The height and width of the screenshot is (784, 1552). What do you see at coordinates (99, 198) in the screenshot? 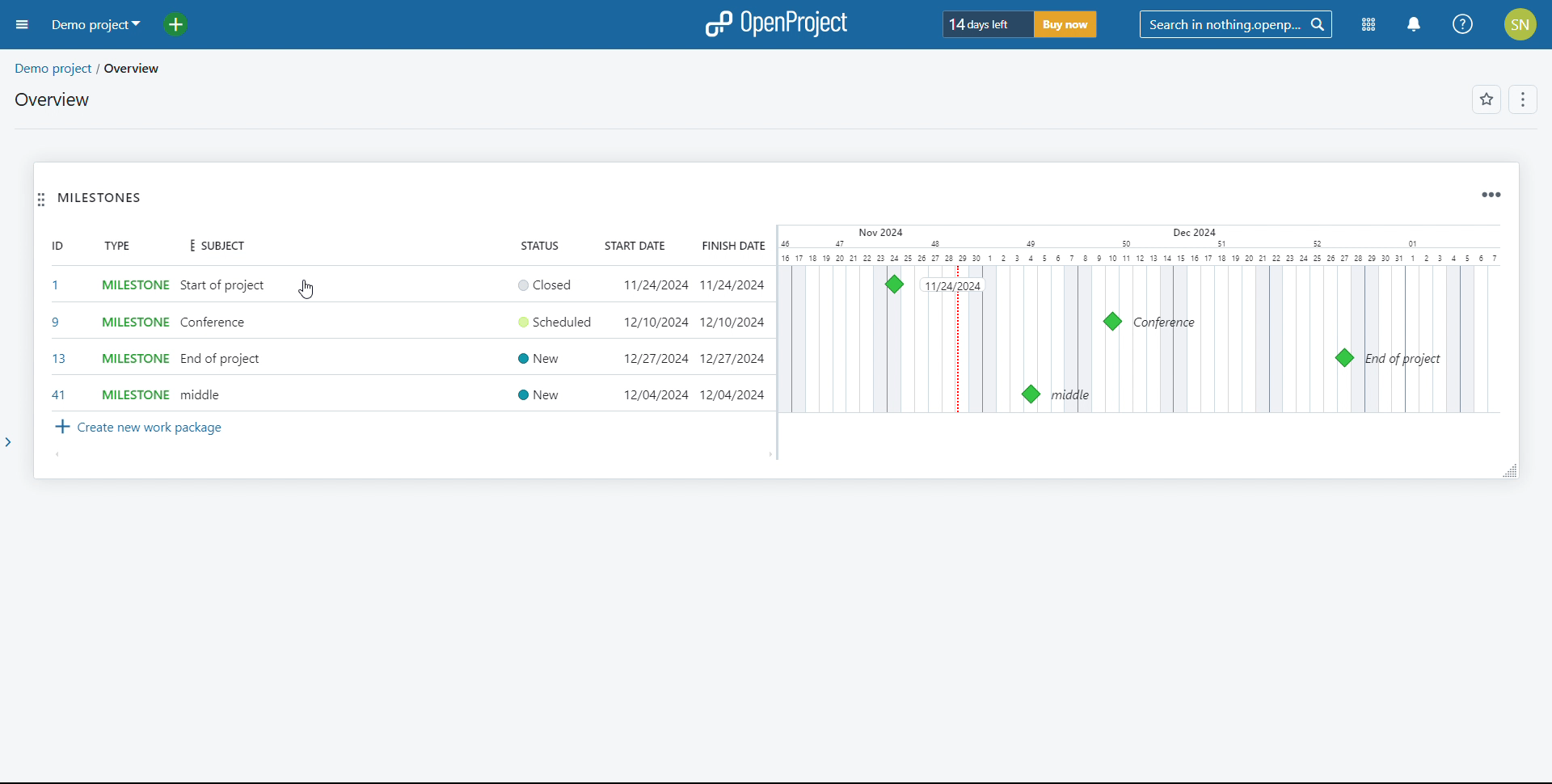
I see `milestones` at bounding box center [99, 198].